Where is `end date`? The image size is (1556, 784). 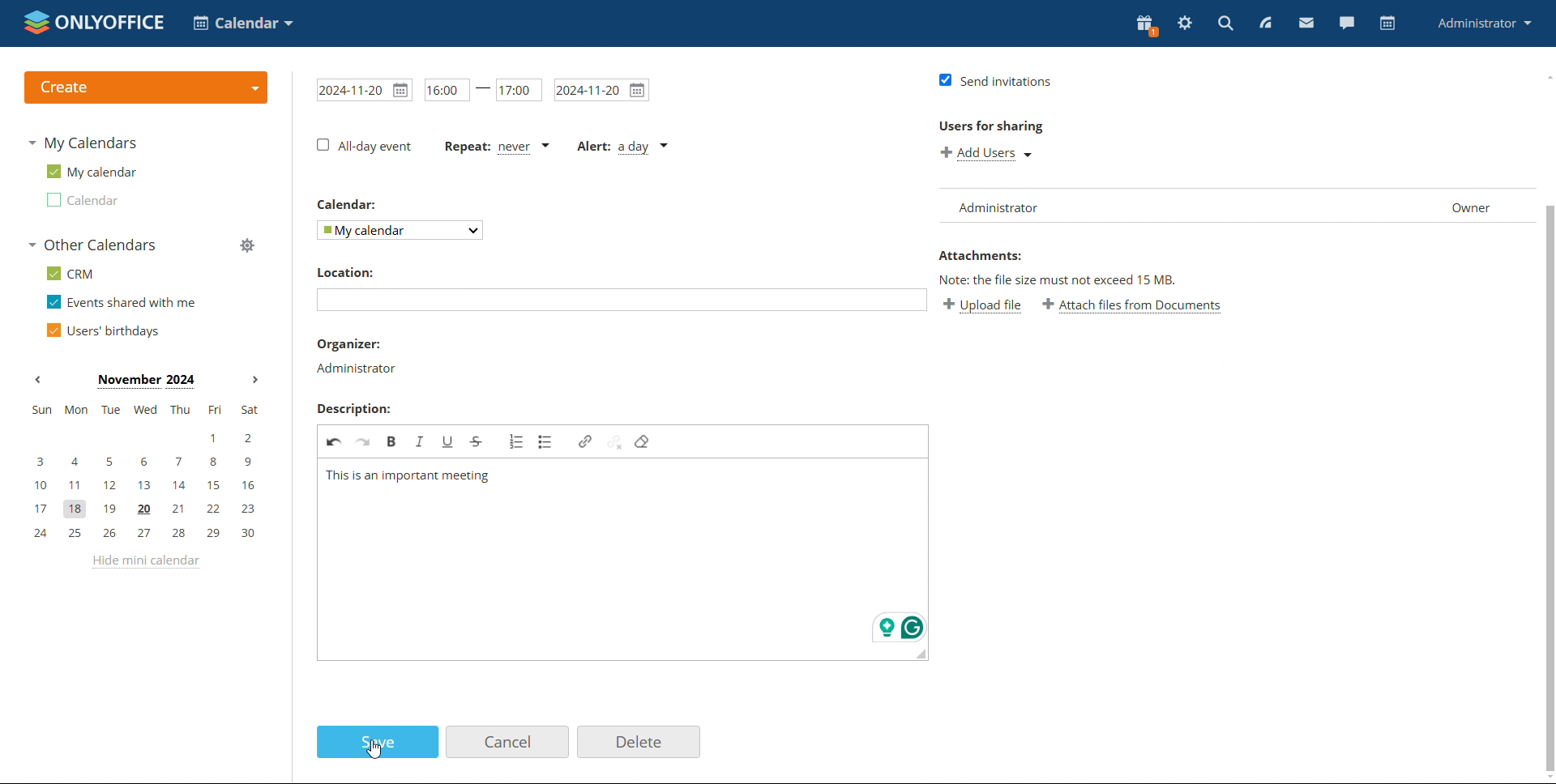 end date is located at coordinates (601, 90).